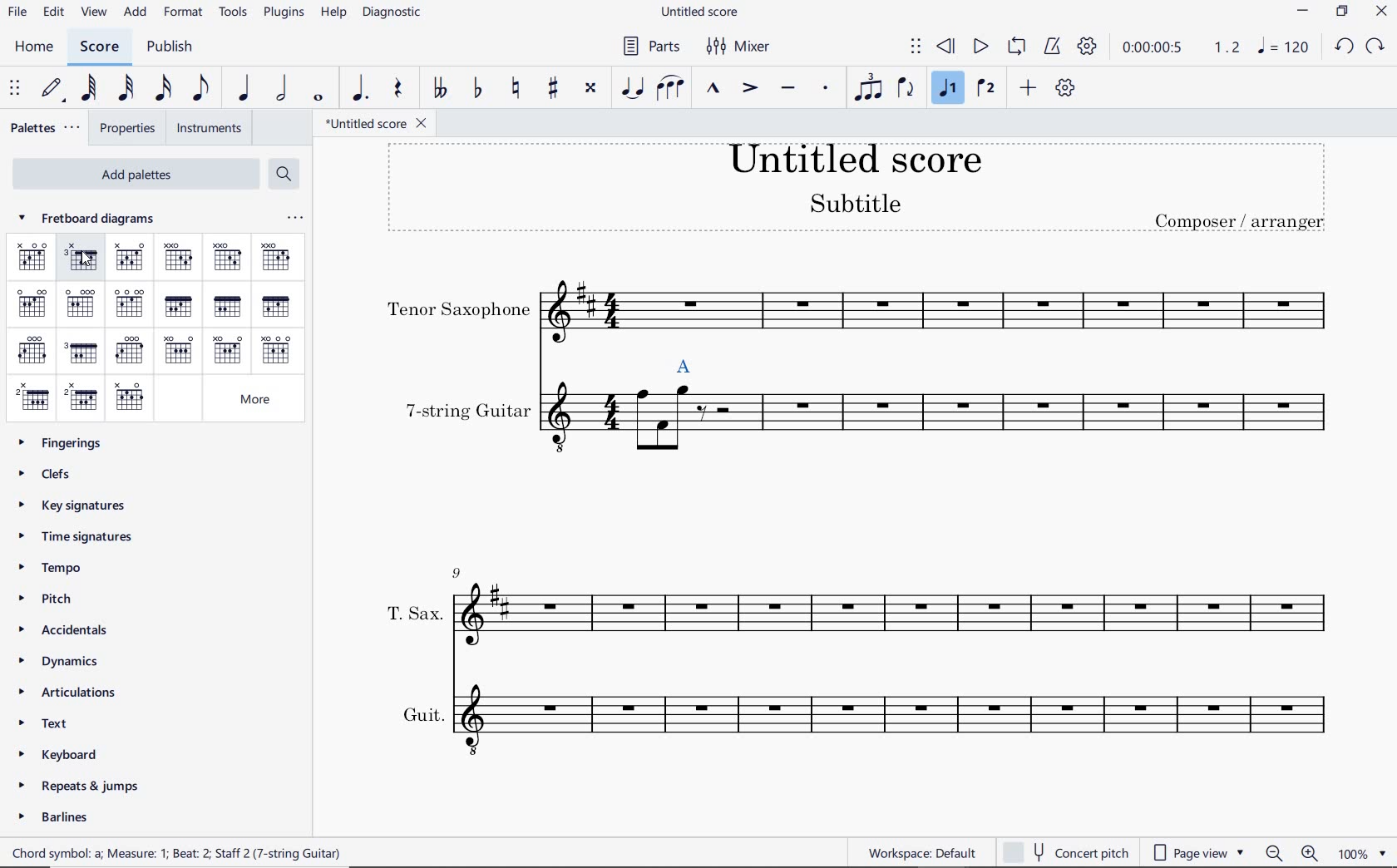 The image size is (1397, 868). I want to click on PUBLISH, so click(173, 45).